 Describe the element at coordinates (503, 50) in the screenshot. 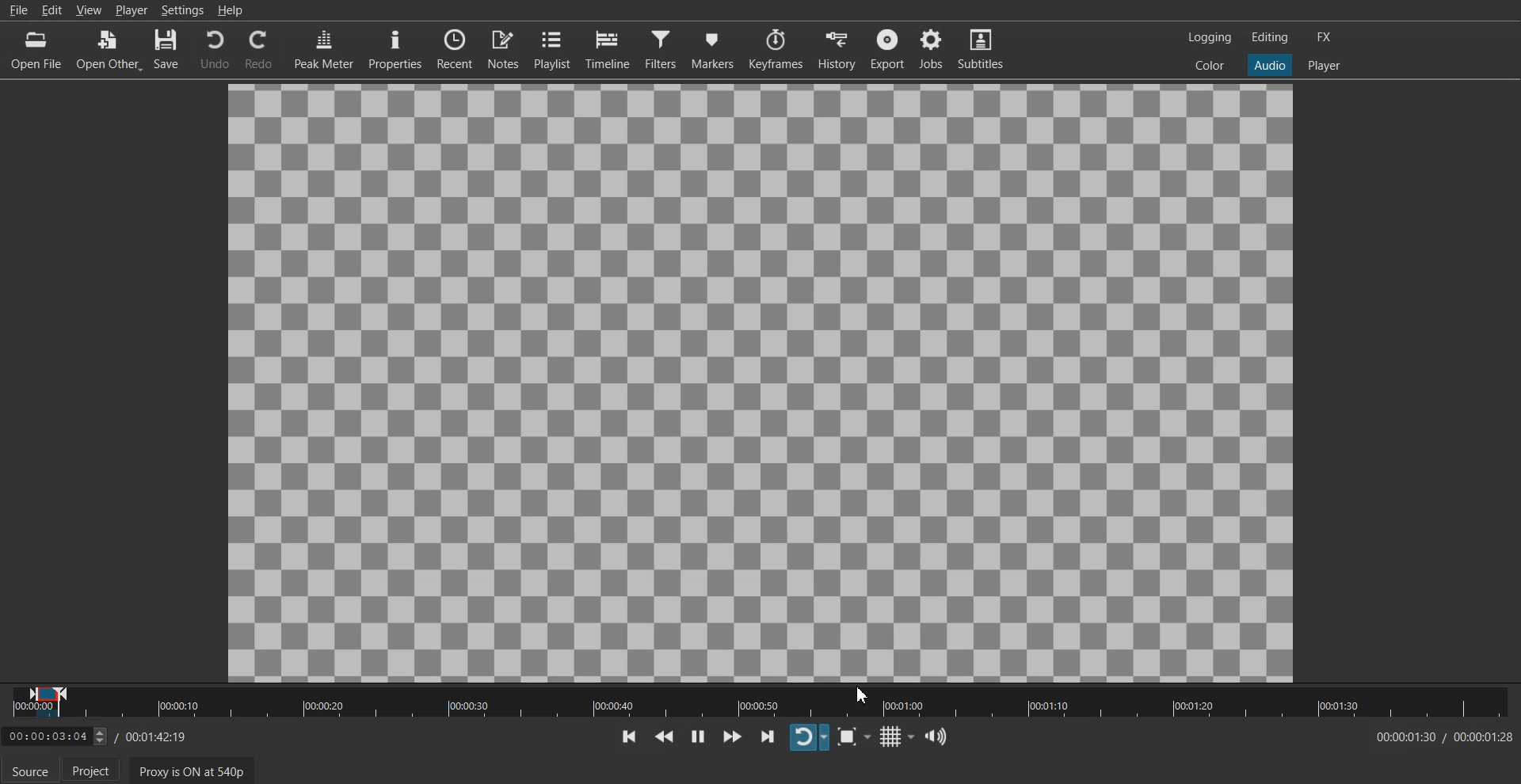

I see `Notes` at that location.